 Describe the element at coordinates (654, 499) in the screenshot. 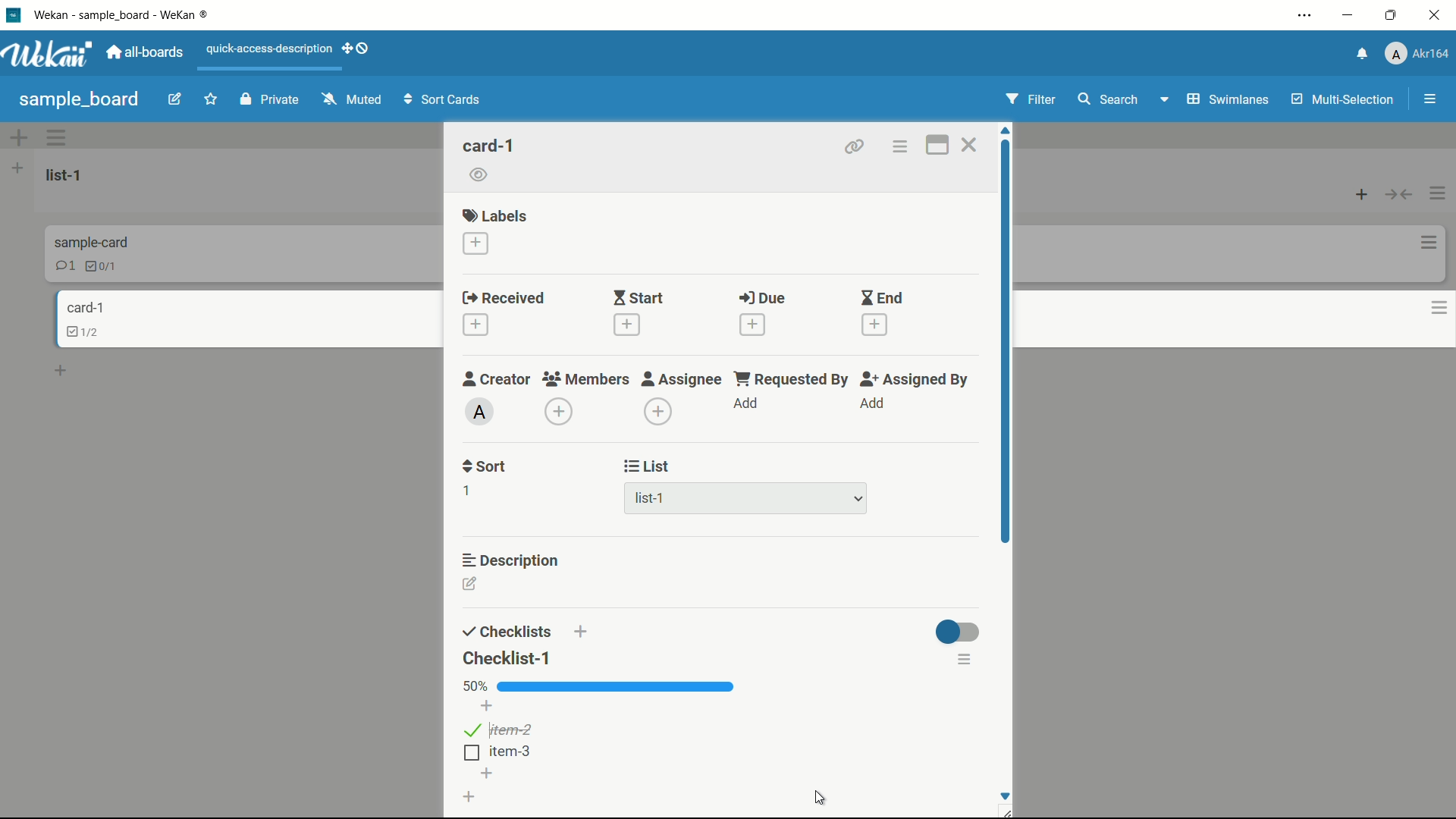

I see `list-1` at that location.